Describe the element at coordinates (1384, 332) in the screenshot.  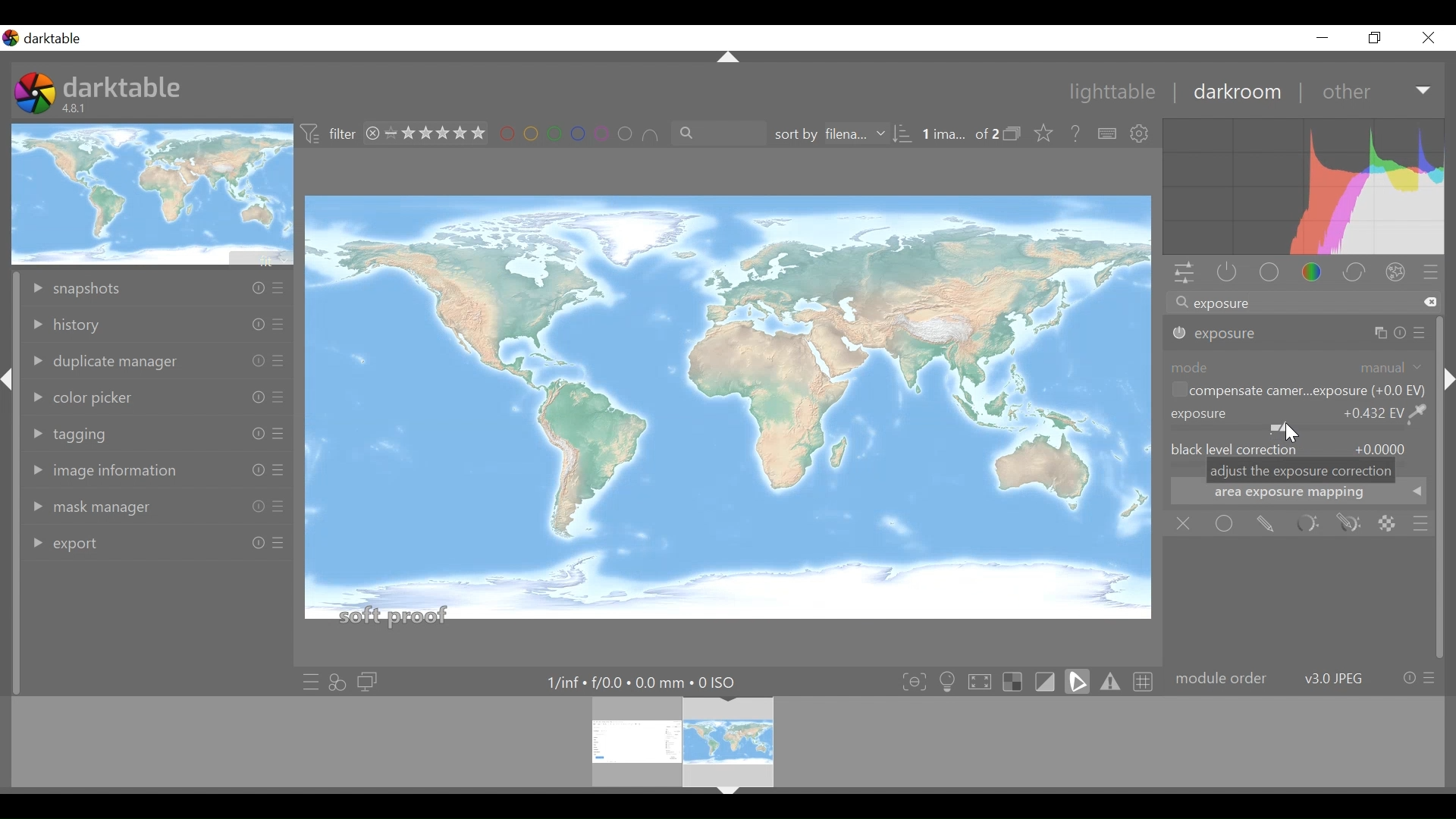
I see `` at that location.